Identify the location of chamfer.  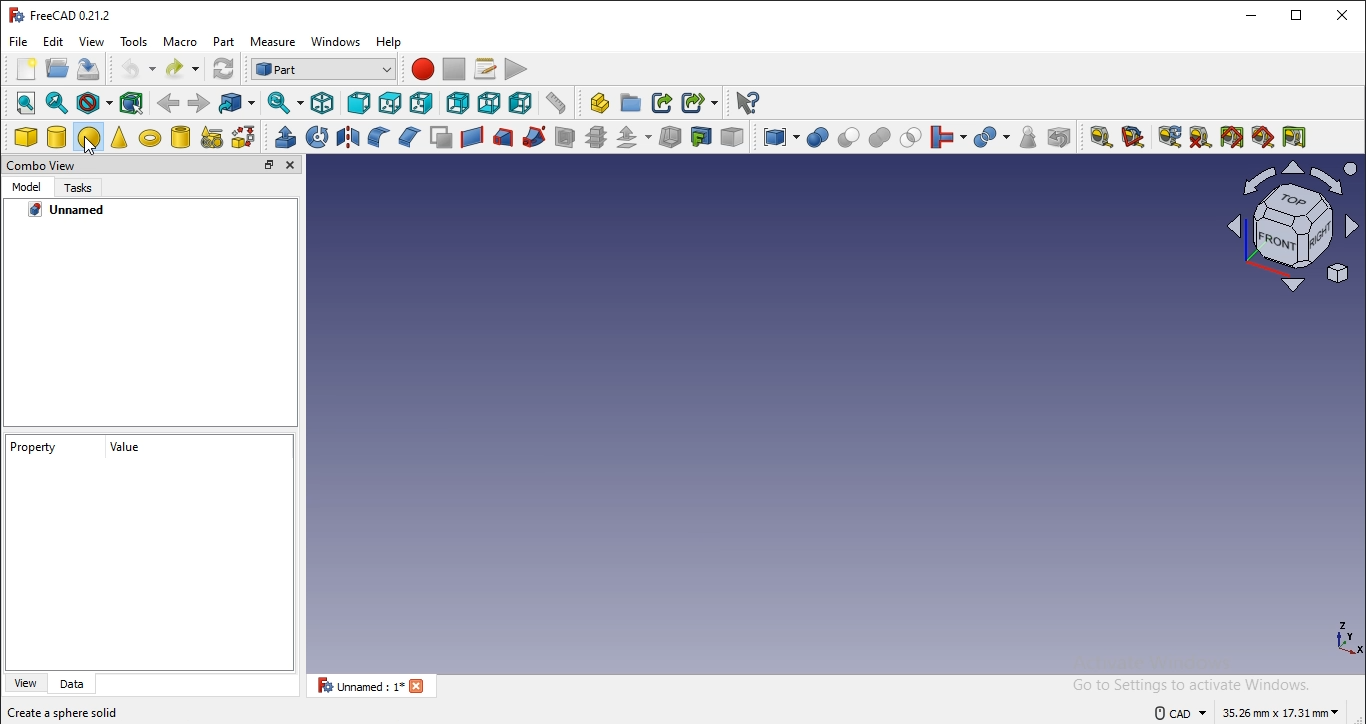
(409, 138).